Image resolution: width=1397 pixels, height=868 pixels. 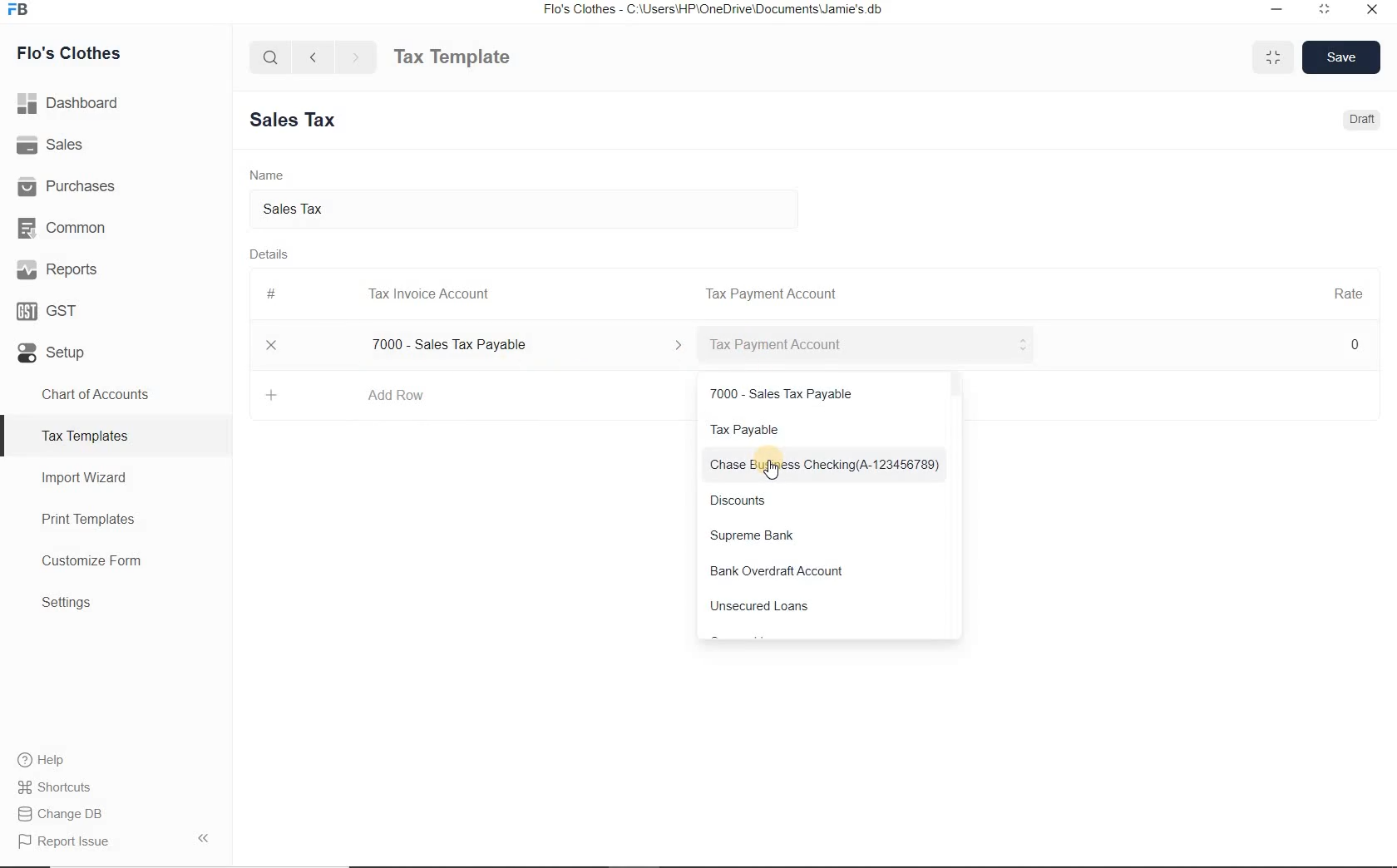 I want to click on New Entry, so click(x=299, y=121).